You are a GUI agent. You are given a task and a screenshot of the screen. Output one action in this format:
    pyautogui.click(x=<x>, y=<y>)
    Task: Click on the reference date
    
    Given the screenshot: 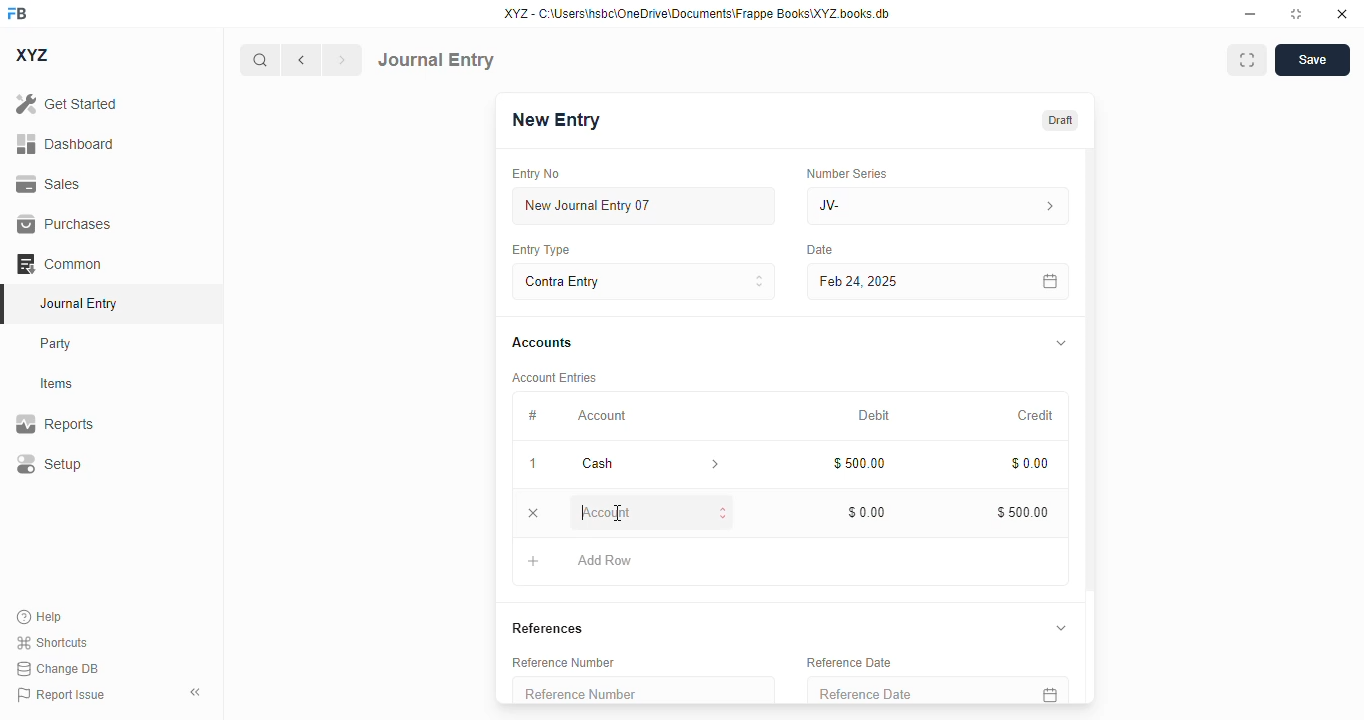 What is the action you would take?
    pyautogui.click(x=850, y=662)
    